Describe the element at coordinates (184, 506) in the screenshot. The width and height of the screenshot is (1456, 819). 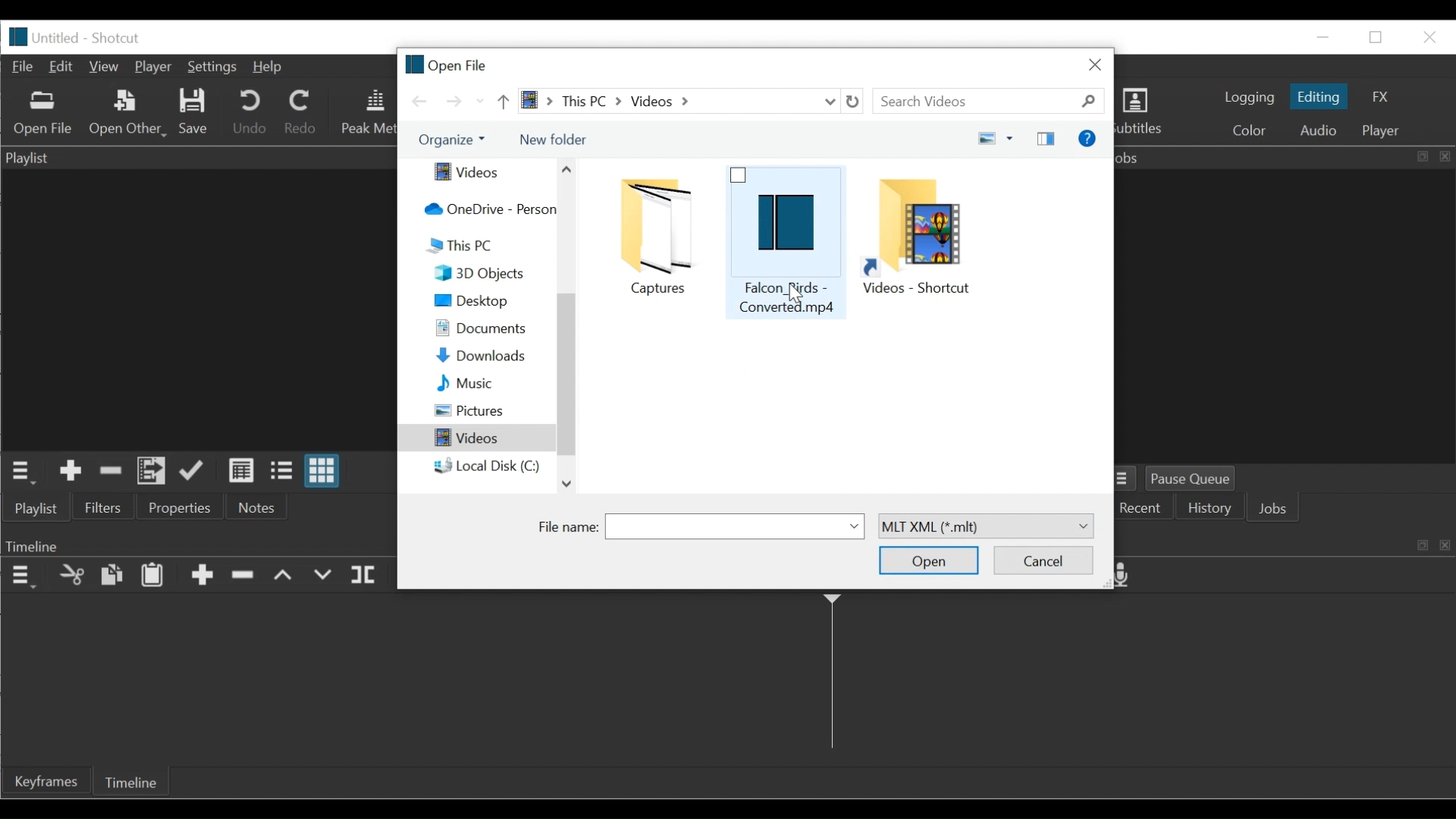
I see `Properties` at that location.